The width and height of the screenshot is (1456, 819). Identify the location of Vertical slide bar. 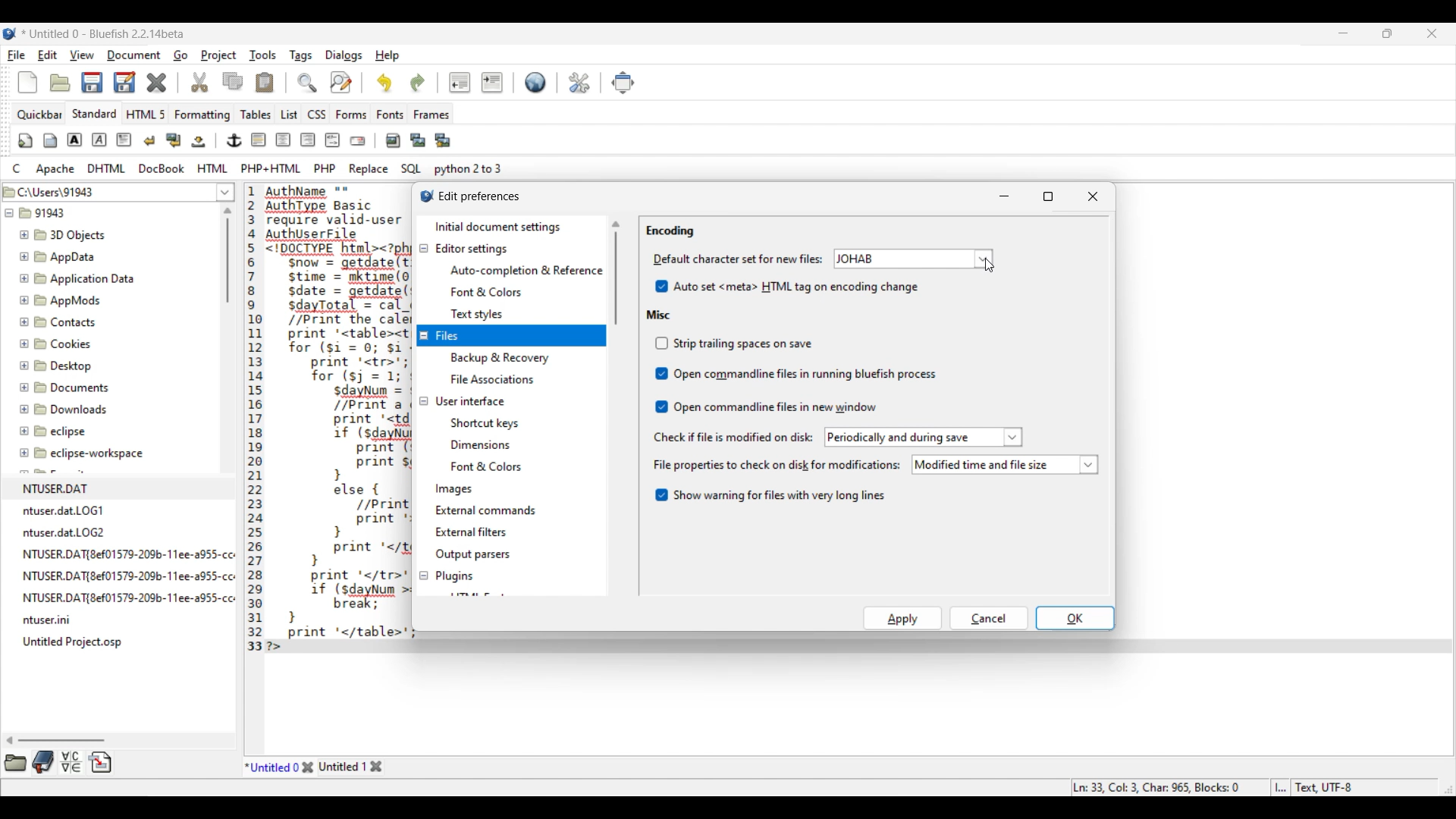
(616, 273).